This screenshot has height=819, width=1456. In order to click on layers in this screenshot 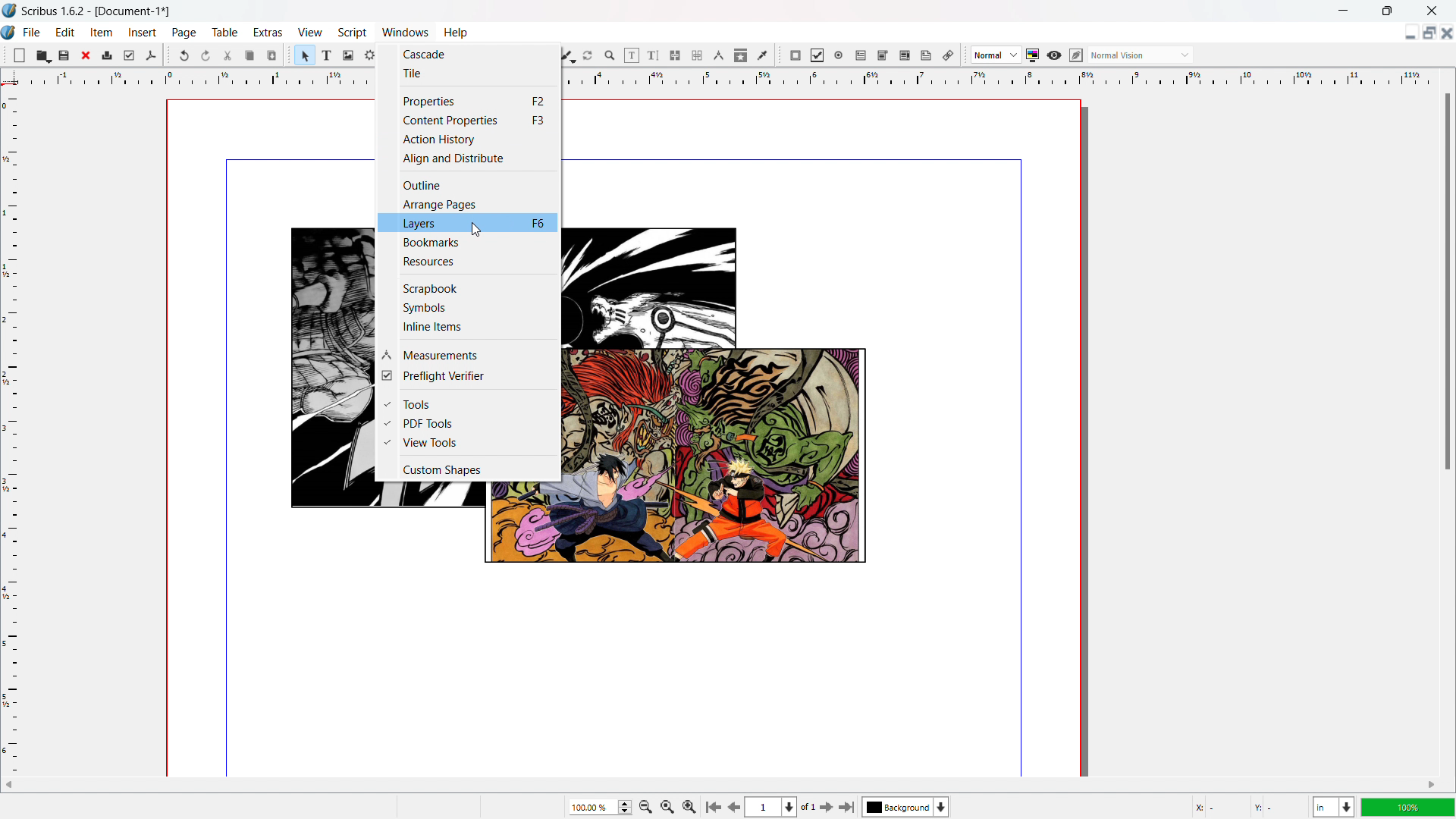, I will do `click(469, 224)`.